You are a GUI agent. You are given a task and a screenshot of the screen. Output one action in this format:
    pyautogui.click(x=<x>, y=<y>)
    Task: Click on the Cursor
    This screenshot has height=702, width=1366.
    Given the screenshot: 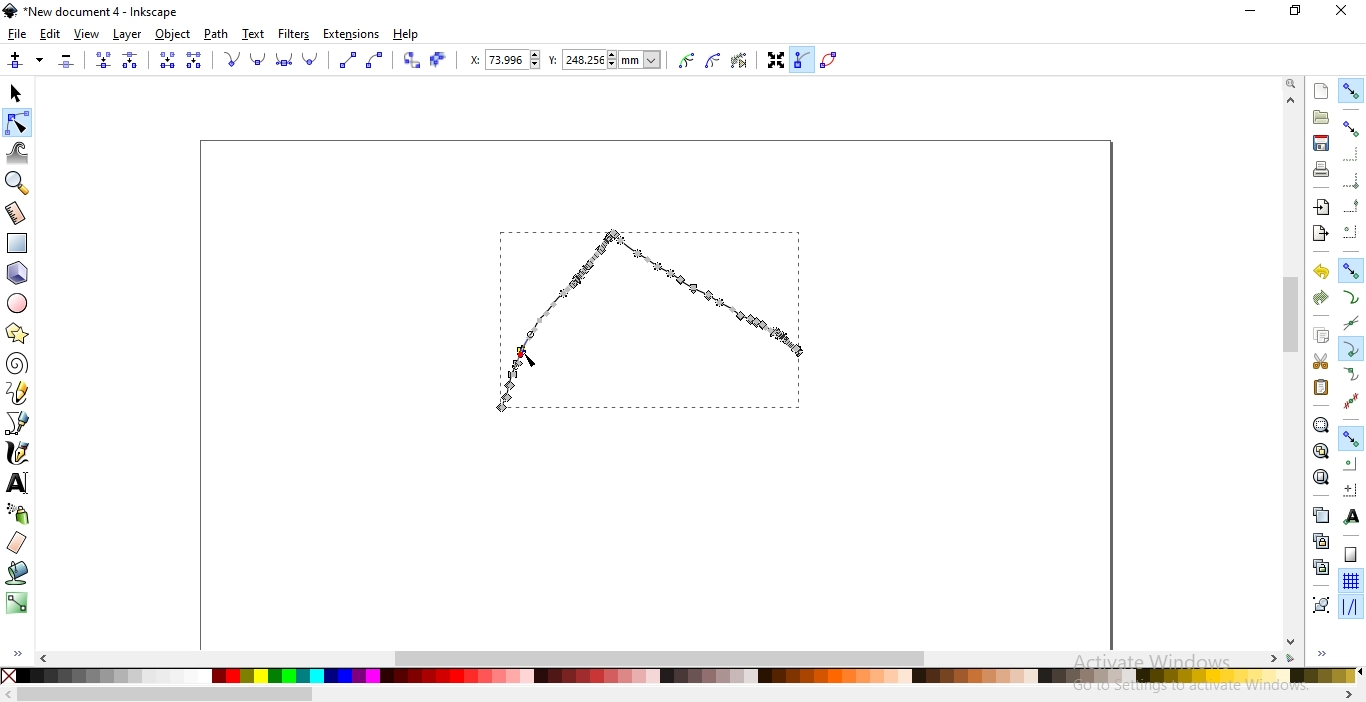 What is the action you would take?
    pyautogui.click(x=533, y=361)
    